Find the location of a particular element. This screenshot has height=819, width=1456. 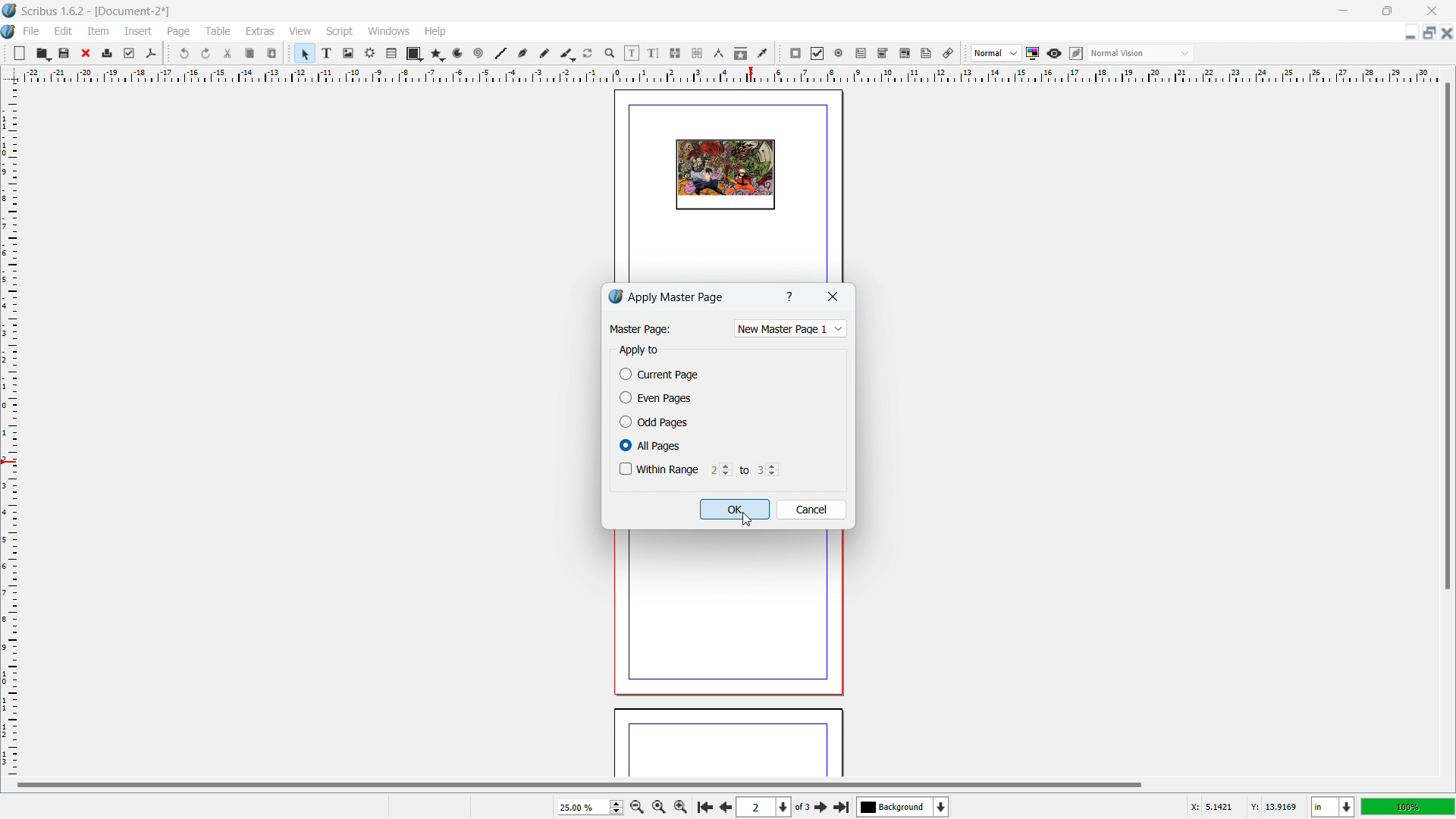

render frame is located at coordinates (370, 53).